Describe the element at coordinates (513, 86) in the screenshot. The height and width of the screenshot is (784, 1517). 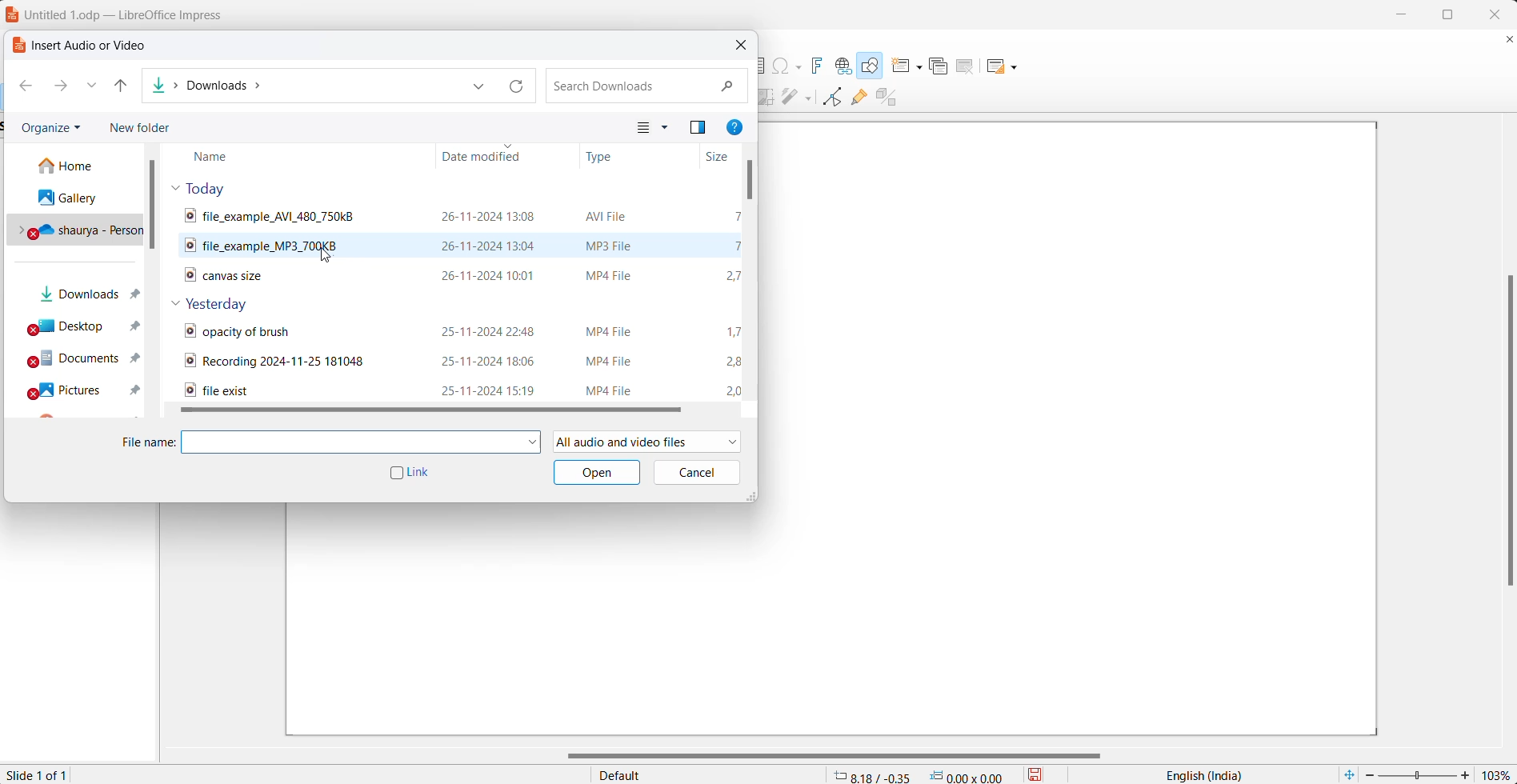
I see `refresh` at that location.